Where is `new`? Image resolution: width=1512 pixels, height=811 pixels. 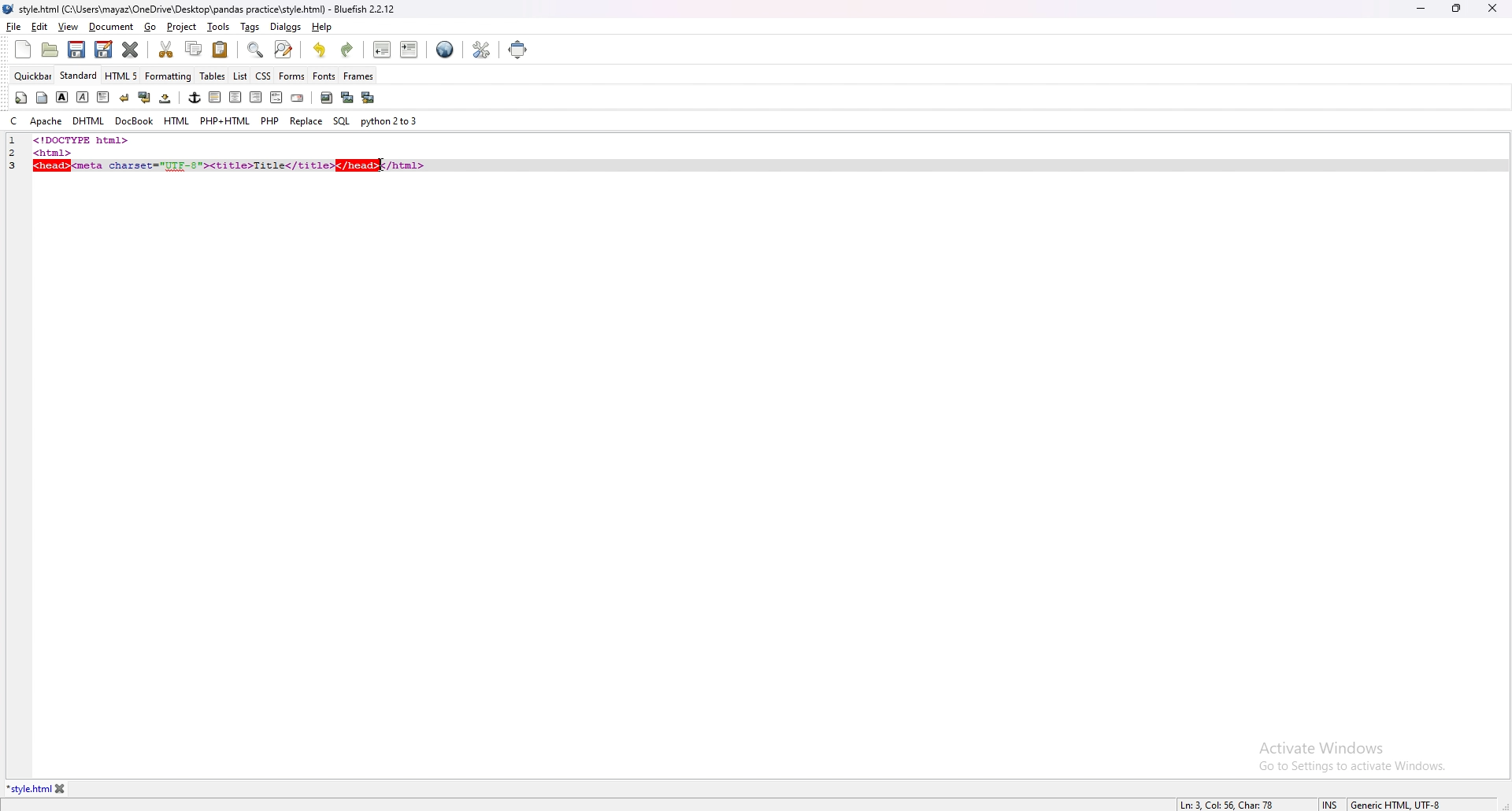 new is located at coordinates (23, 50).